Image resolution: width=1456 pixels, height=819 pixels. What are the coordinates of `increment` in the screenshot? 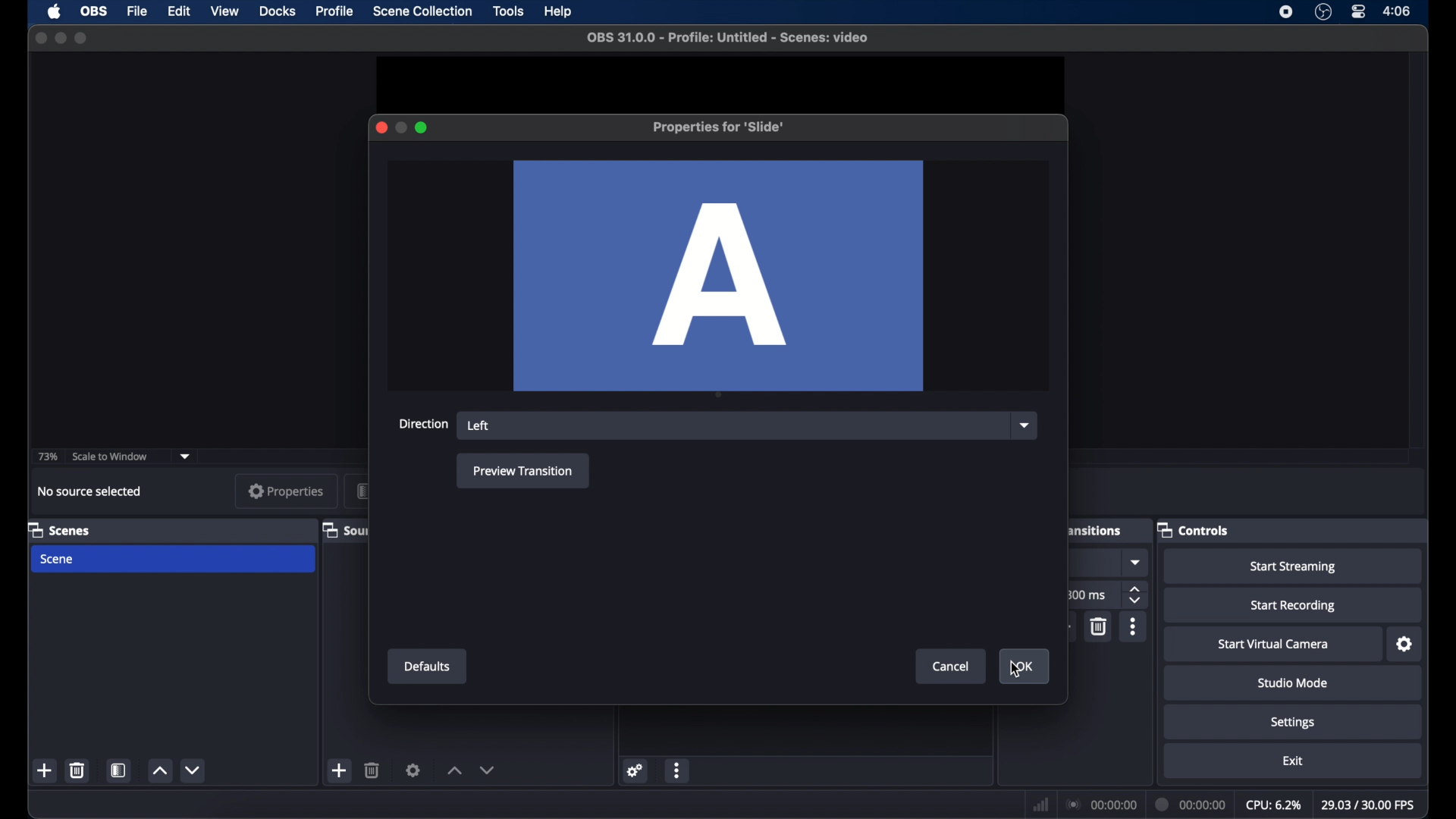 It's located at (453, 770).